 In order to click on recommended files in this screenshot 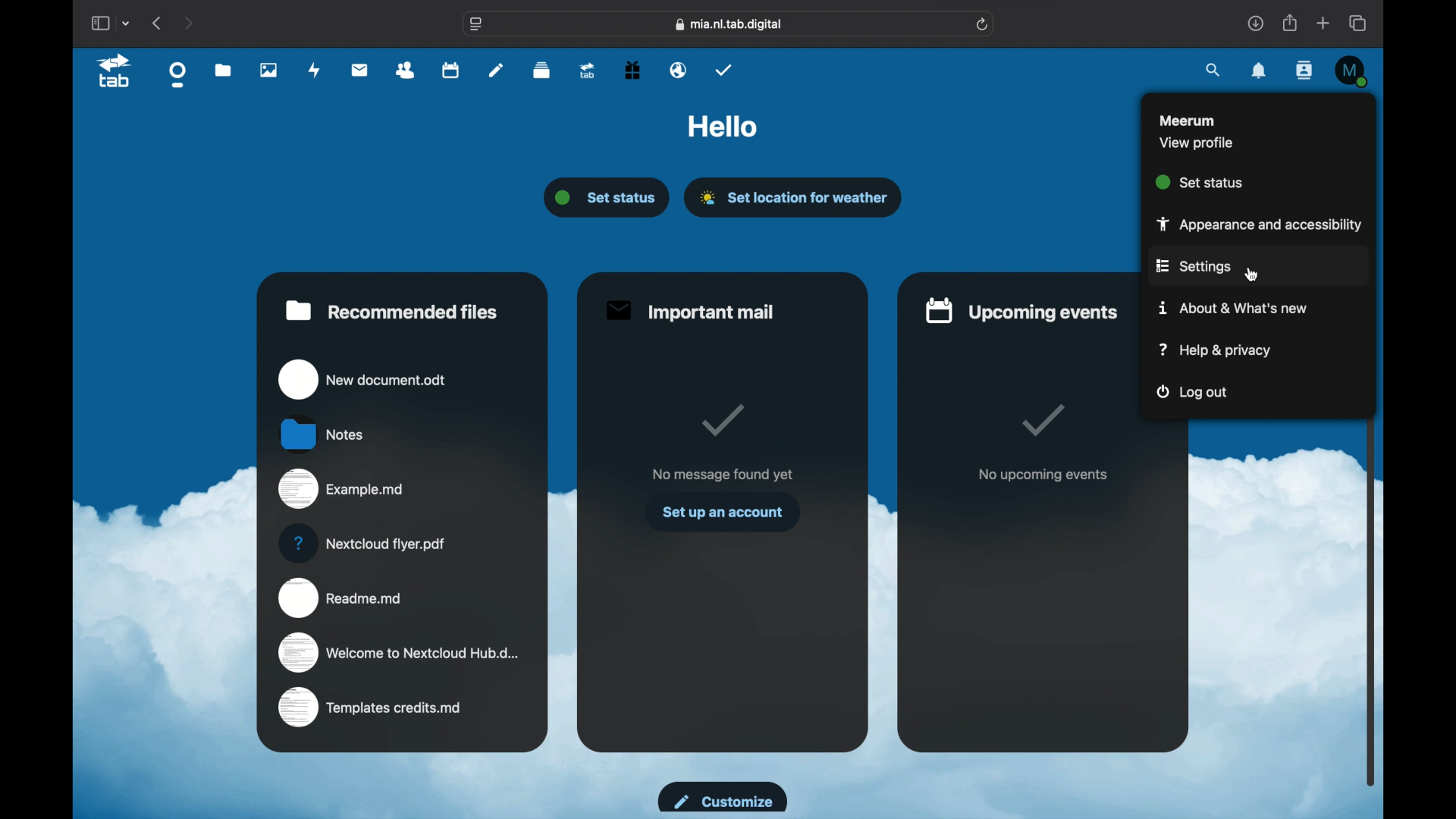, I will do `click(392, 310)`.